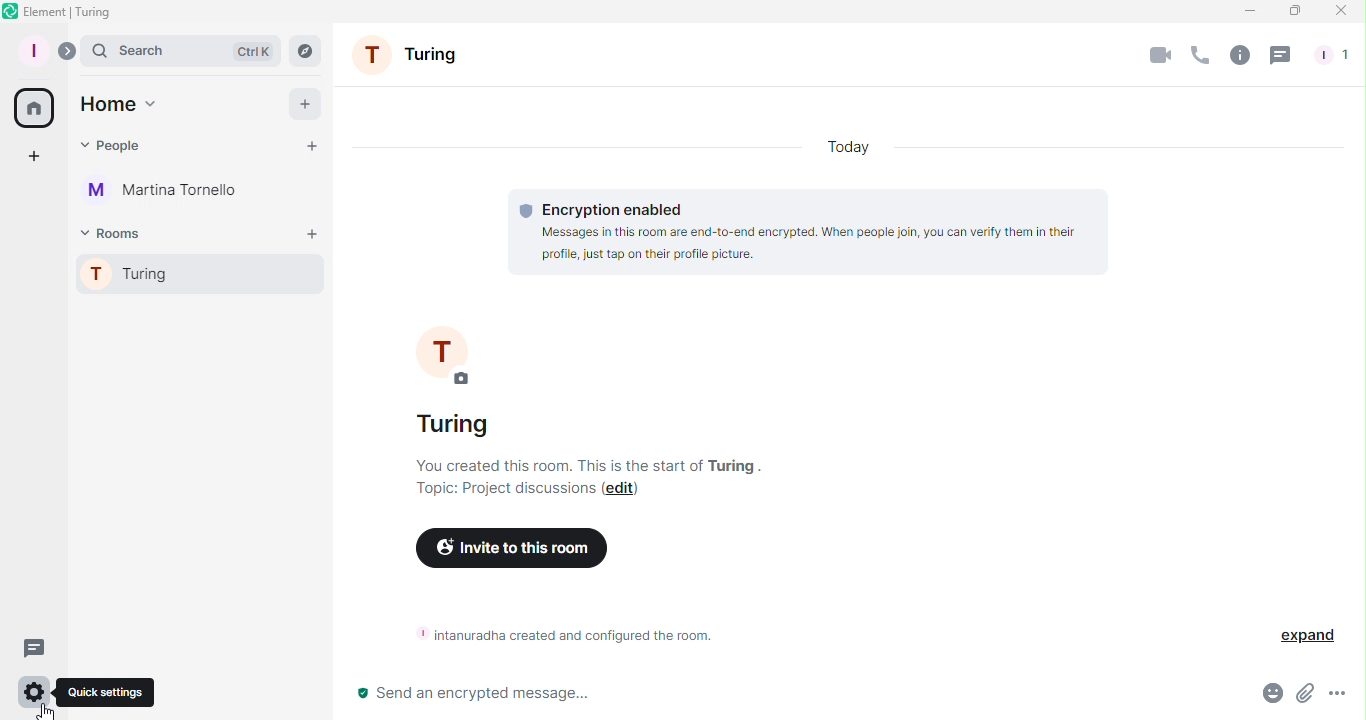  Describe the element at coordinates (12, 10) in the screenshot. I see `Element icon` at that location.